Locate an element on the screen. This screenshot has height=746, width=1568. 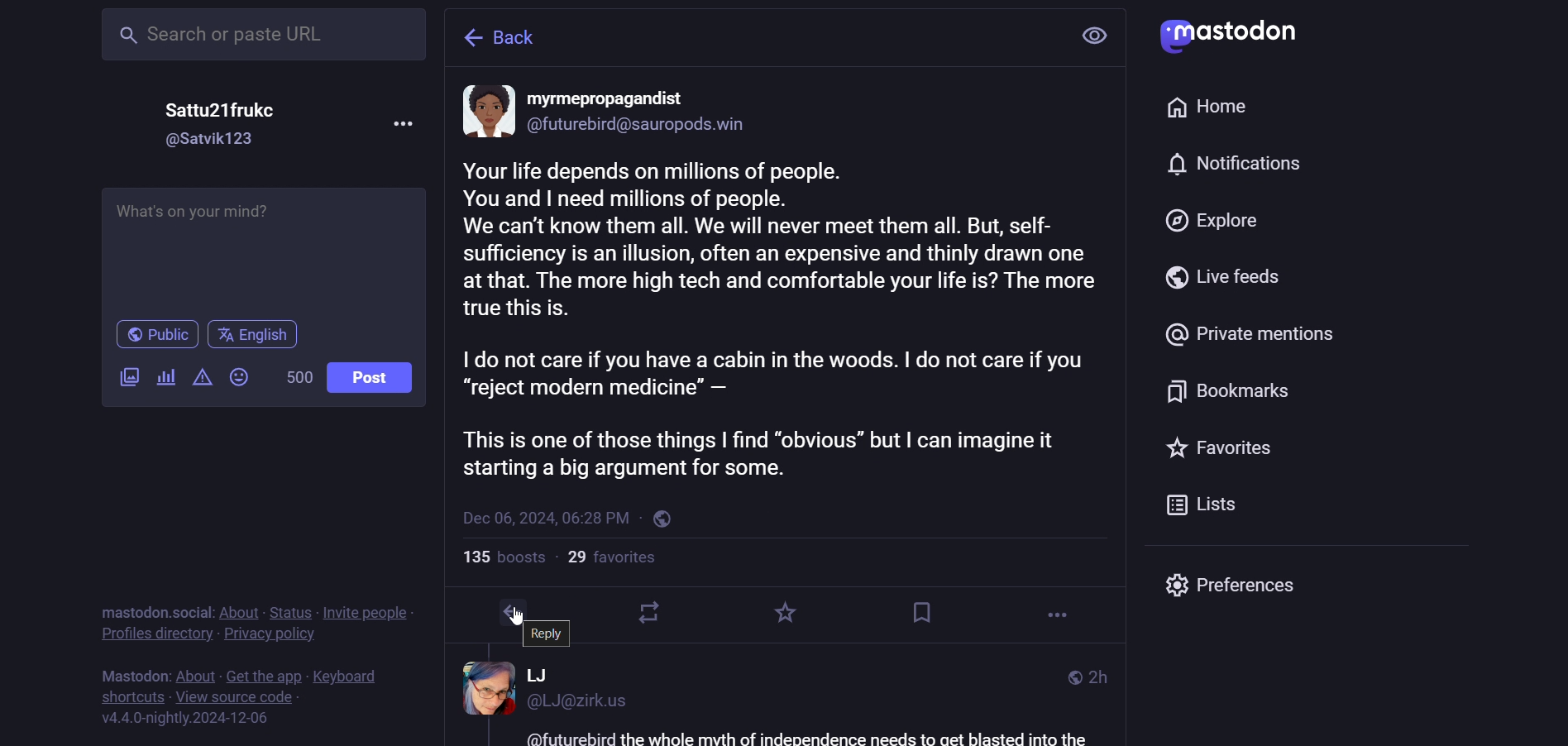
name is located at coordinates (543, 675).